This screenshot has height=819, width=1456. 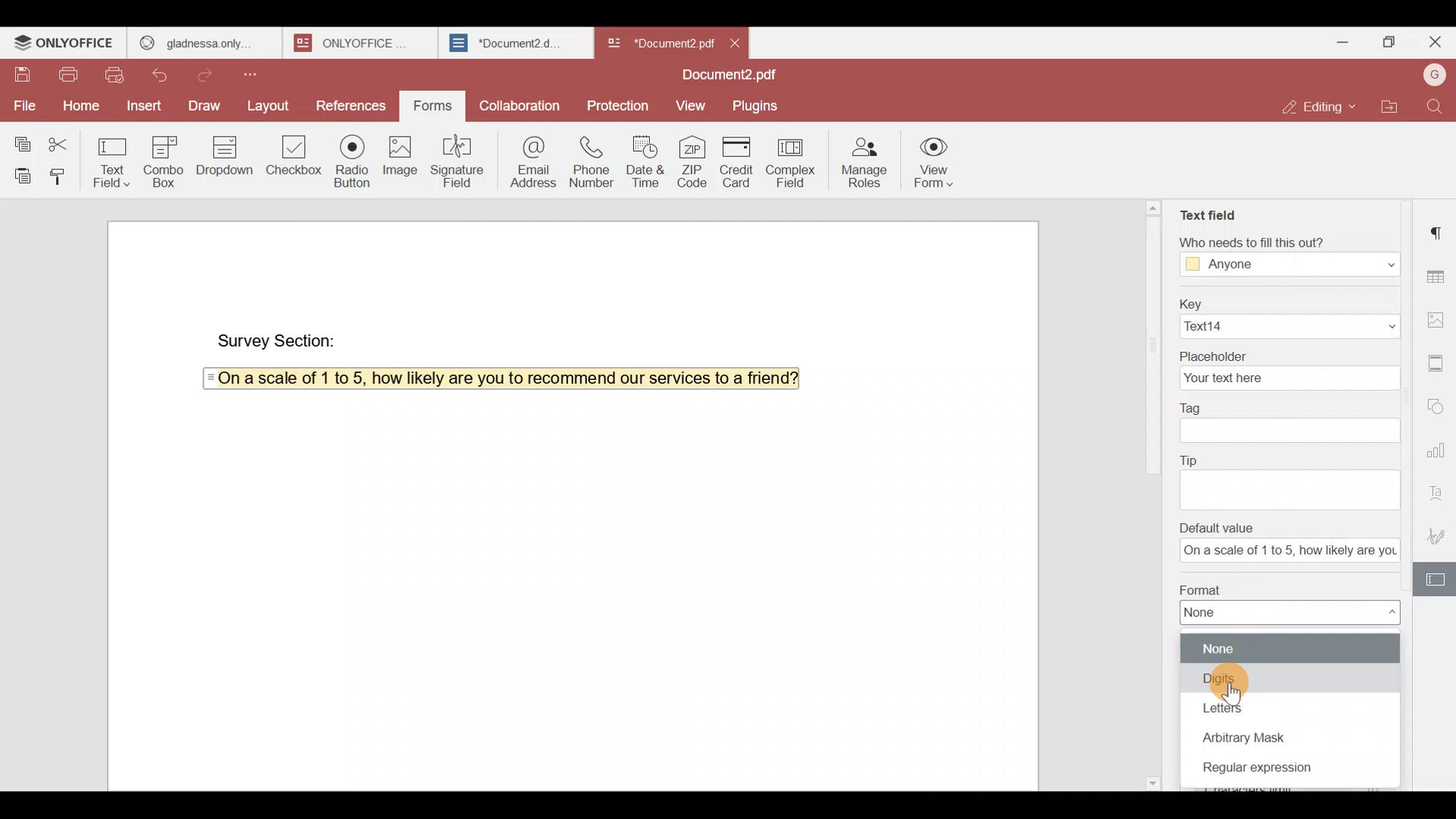 What do you see at coordinates (1292, 613) in the screenshot?
I see `None` at bounding box center [1292, 613].